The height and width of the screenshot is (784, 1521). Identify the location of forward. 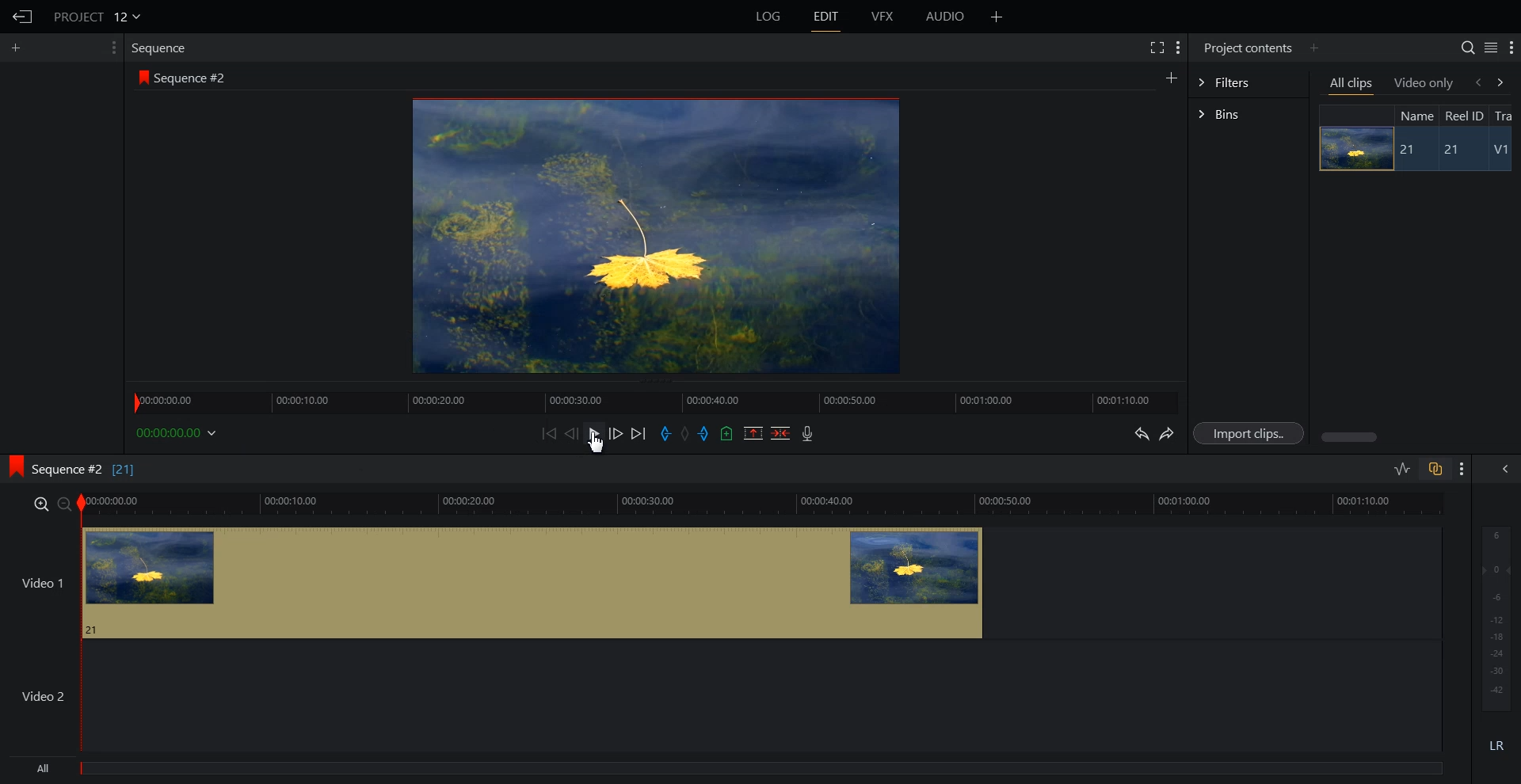
(1504, 82).